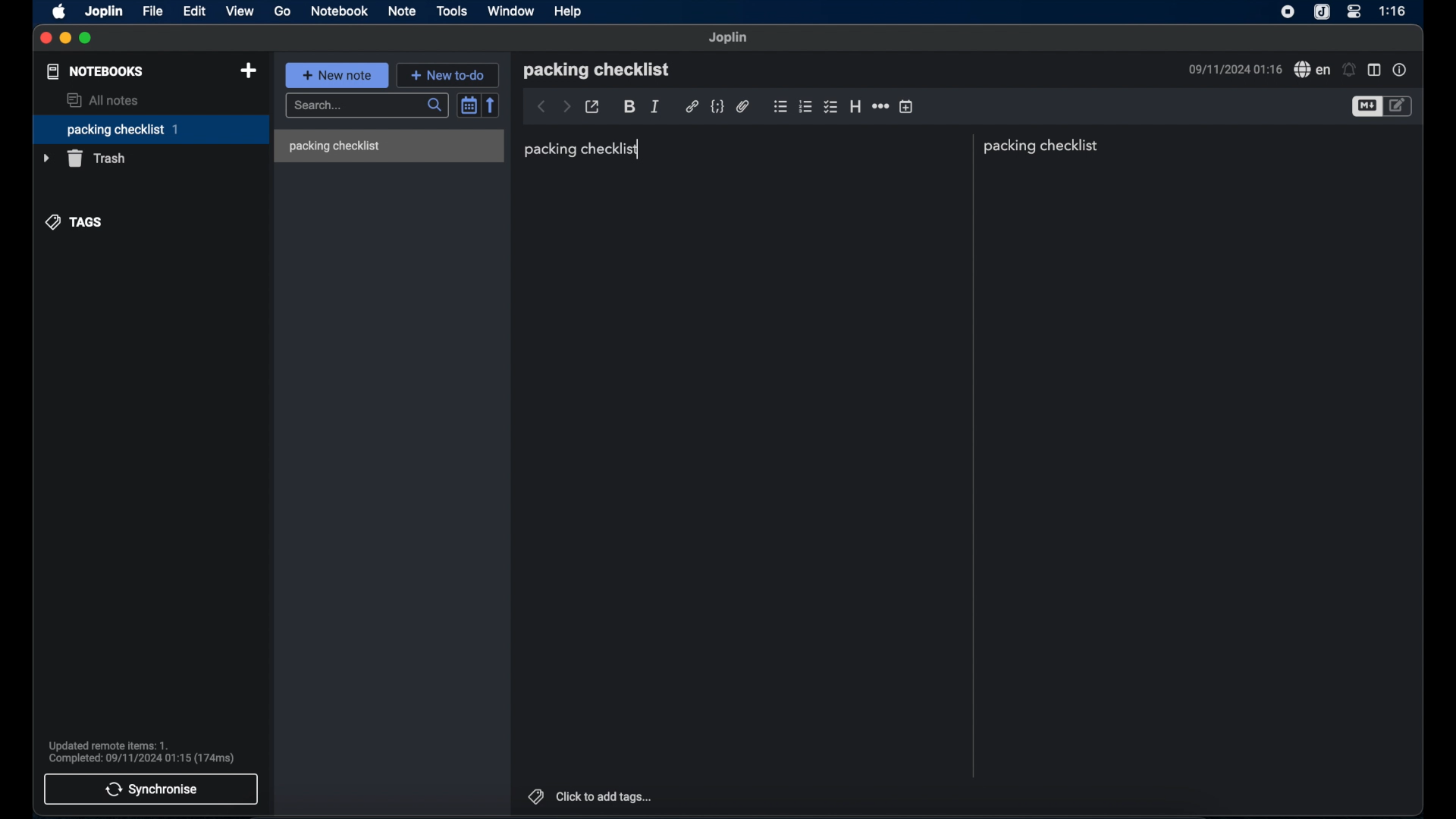 Image resolution: width=1456 pixels, height=819 pixels. I want to click on code, so click(717, 106).